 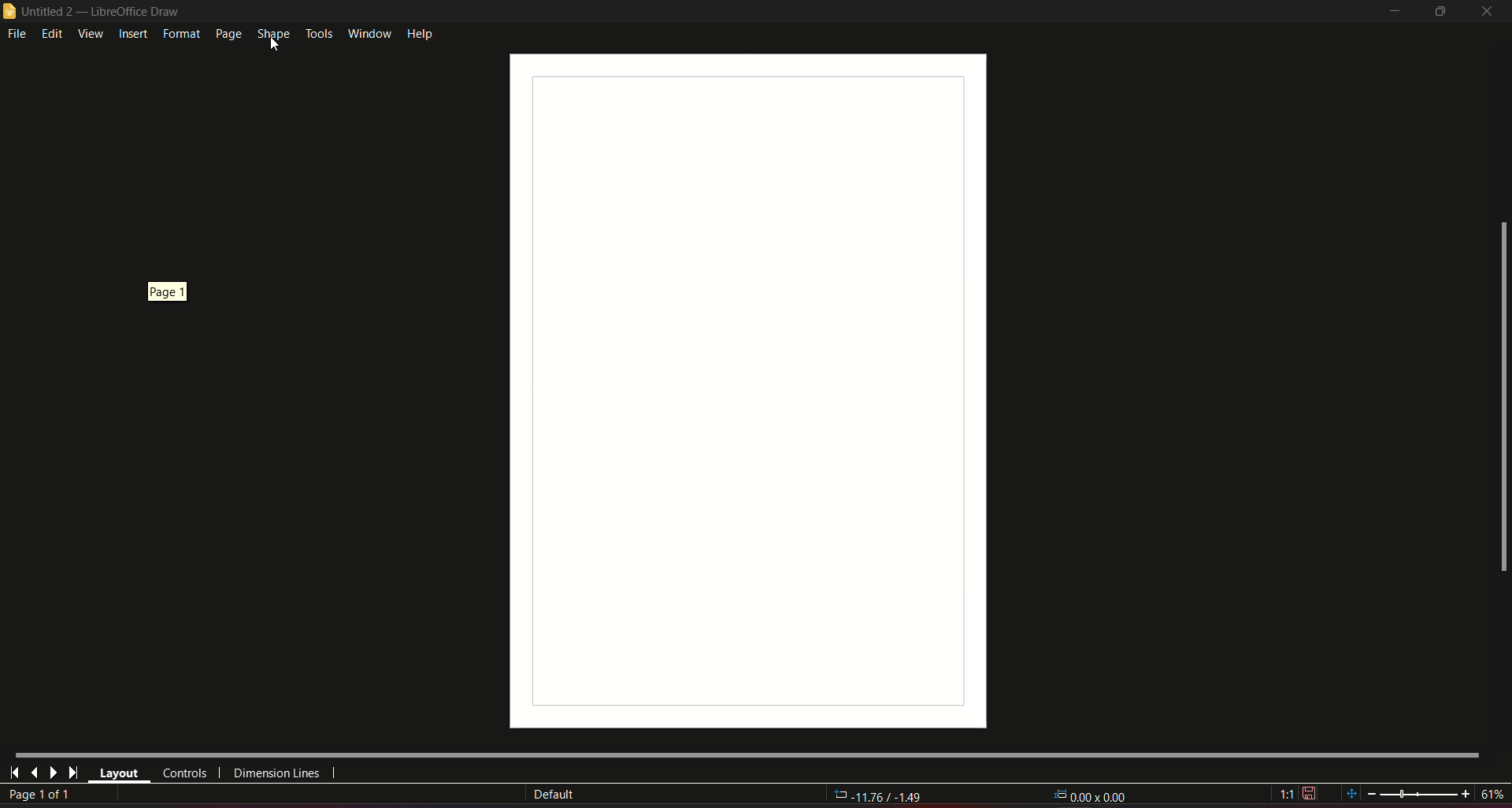 What do you see at coordinates (746, 753) in the screenshot?
I see `Horizontal scroll bar` at bounding box center [746, 753].